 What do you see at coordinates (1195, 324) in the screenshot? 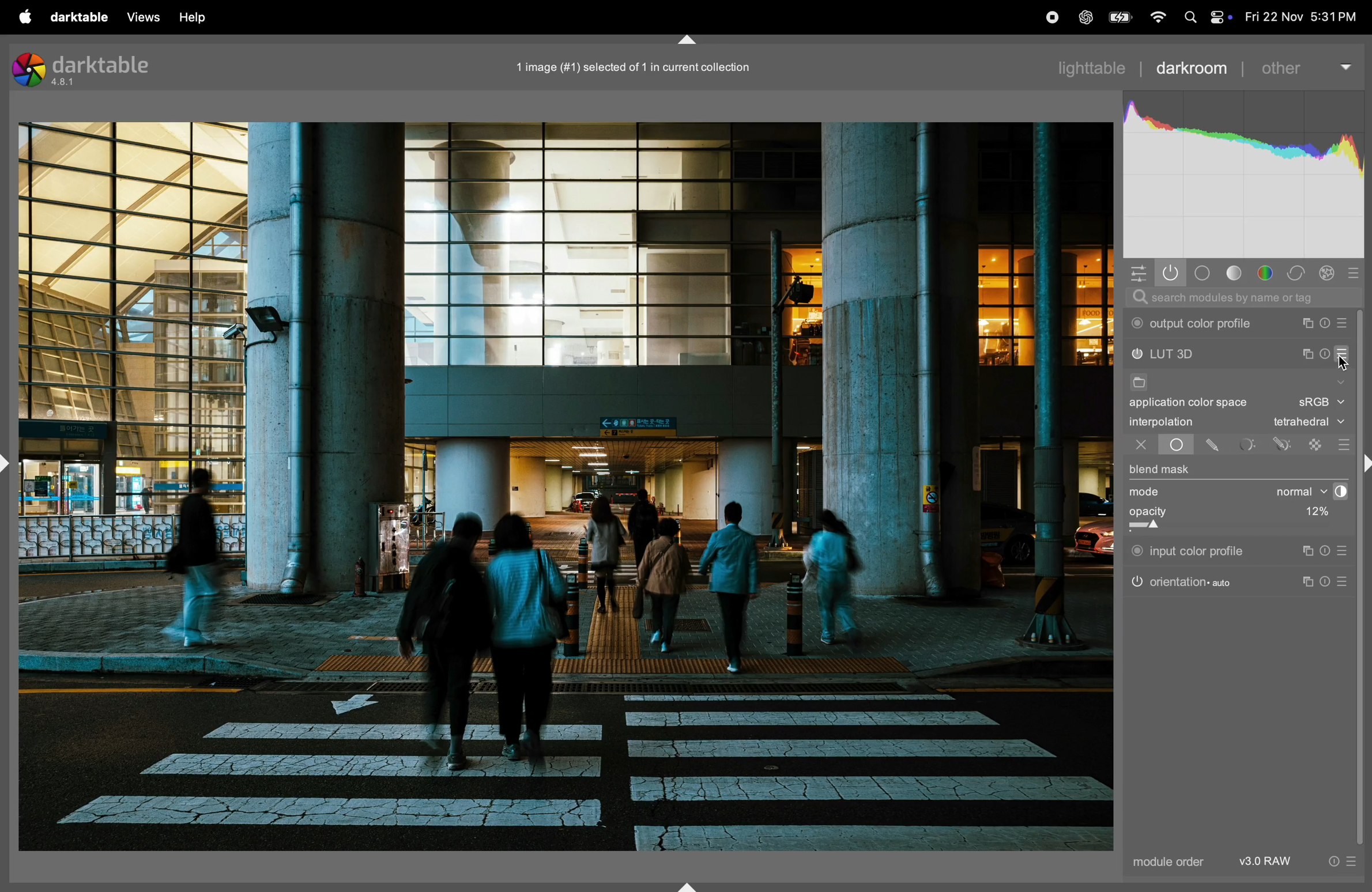
I see `output color profile` at bounding box center [1195, 324].